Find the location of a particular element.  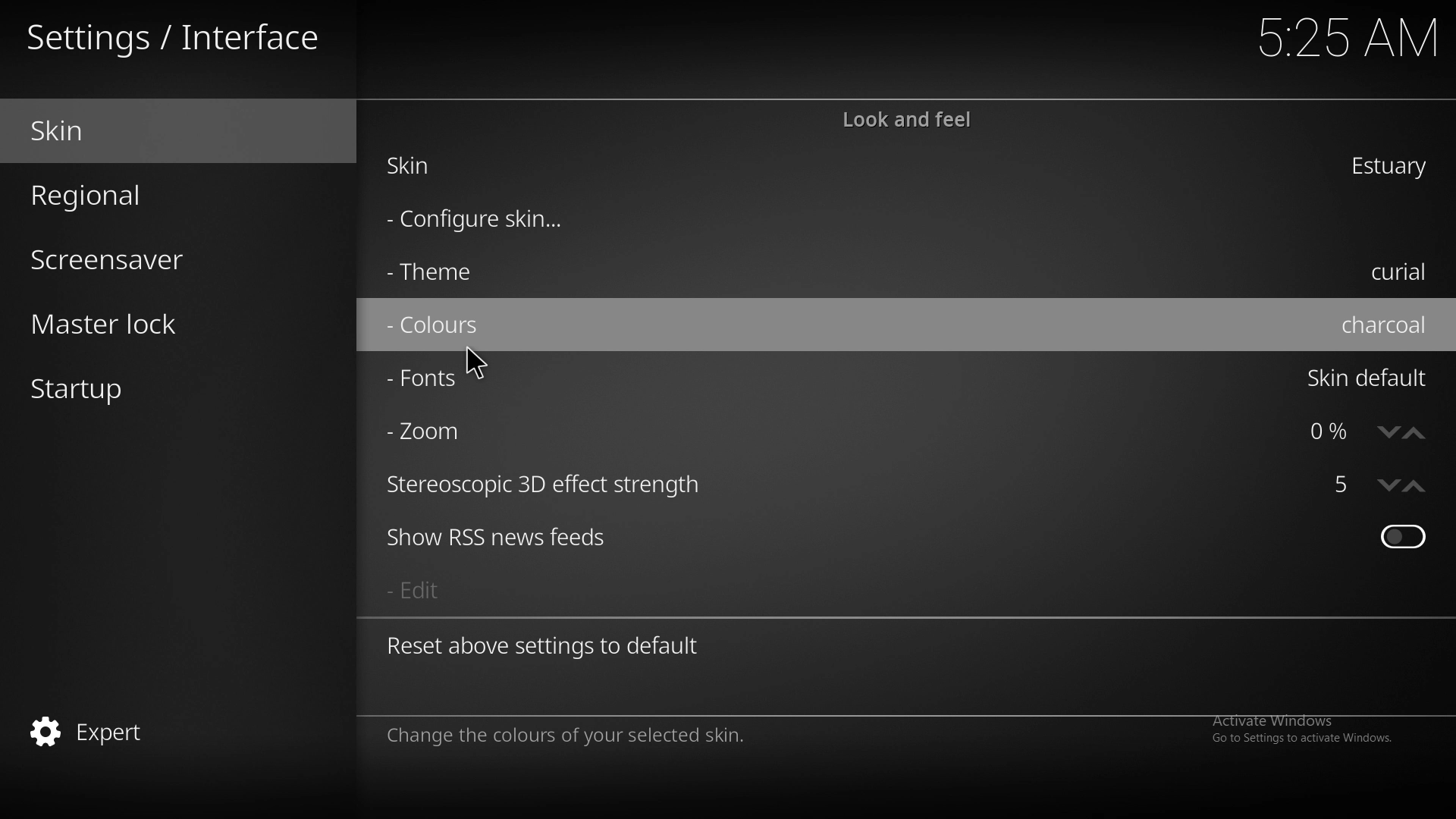

info is located at coordinates (624, 732).